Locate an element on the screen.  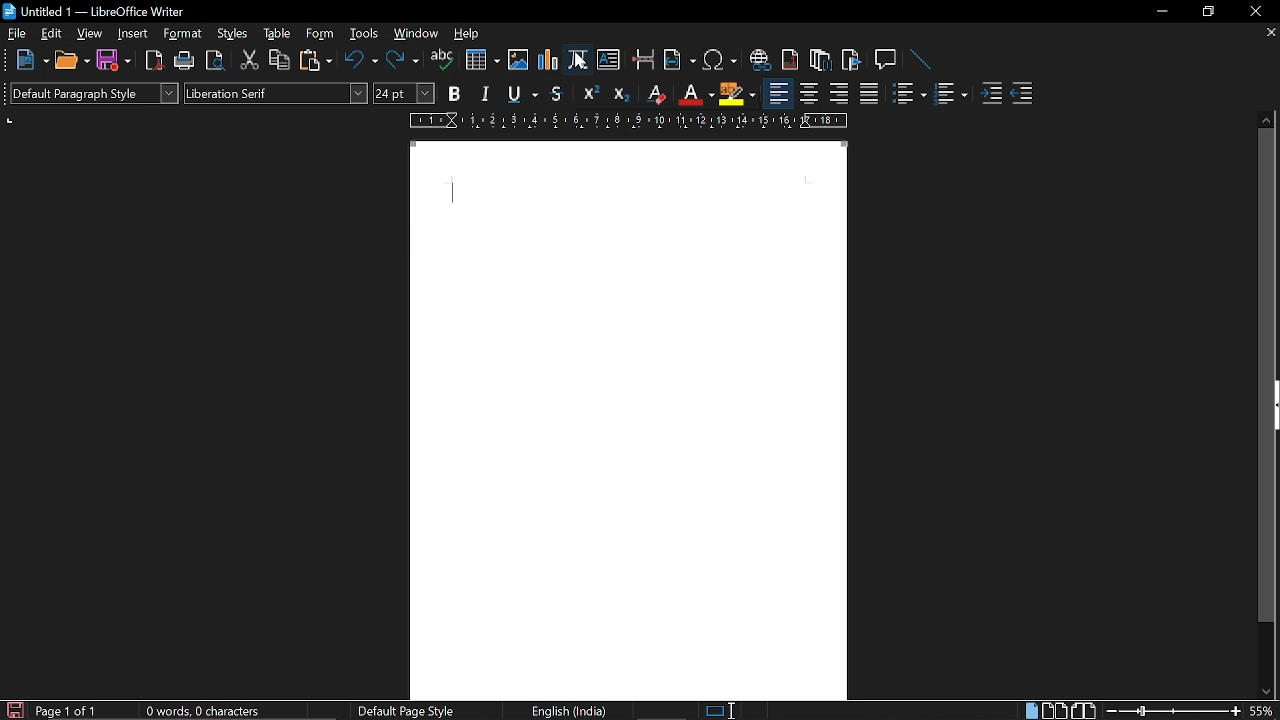
text cursor on blank page is located at coordinates (455, 192).